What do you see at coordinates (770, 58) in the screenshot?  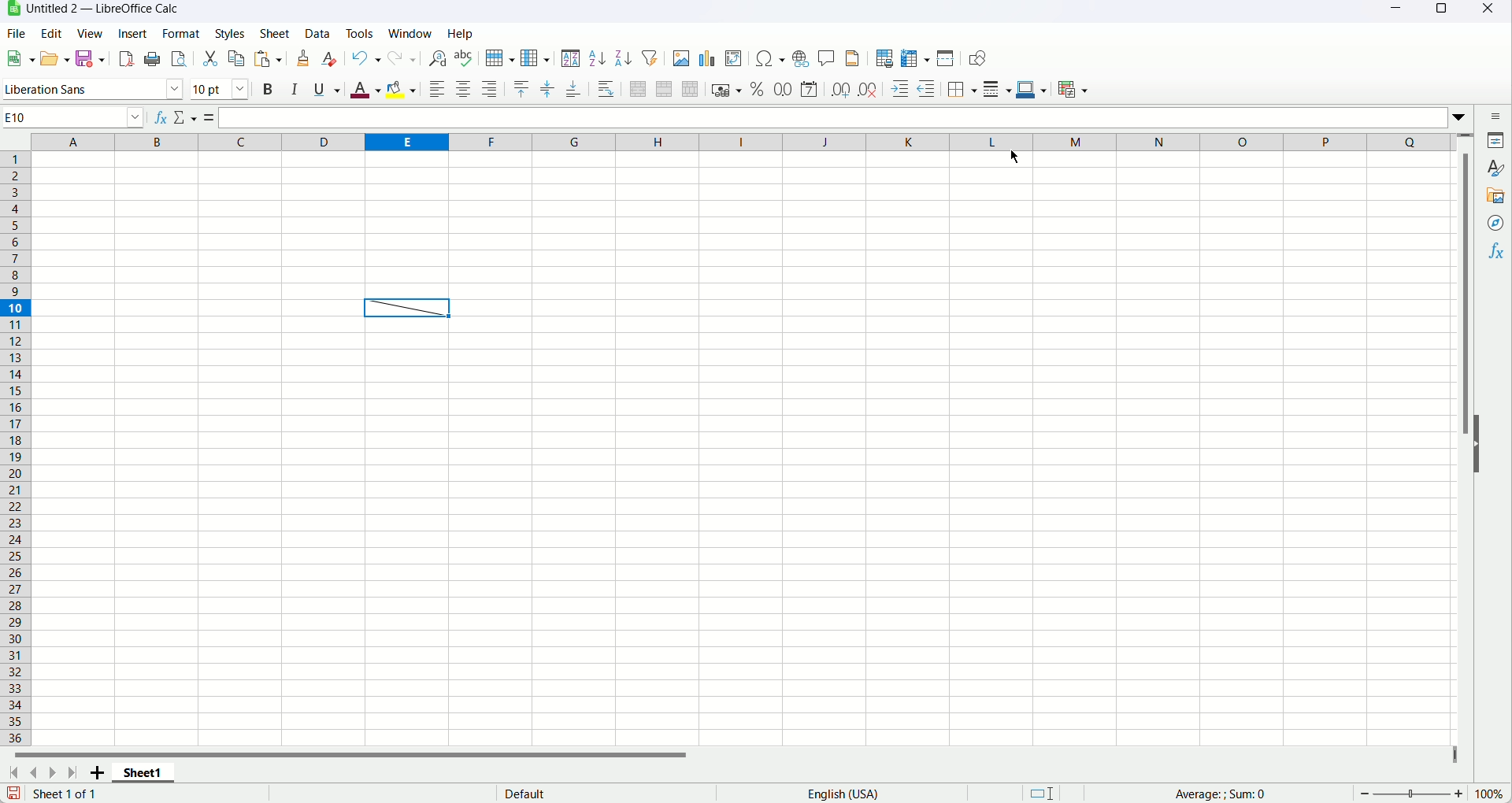 I see `insert special characters` at bounding box center [770, 58].